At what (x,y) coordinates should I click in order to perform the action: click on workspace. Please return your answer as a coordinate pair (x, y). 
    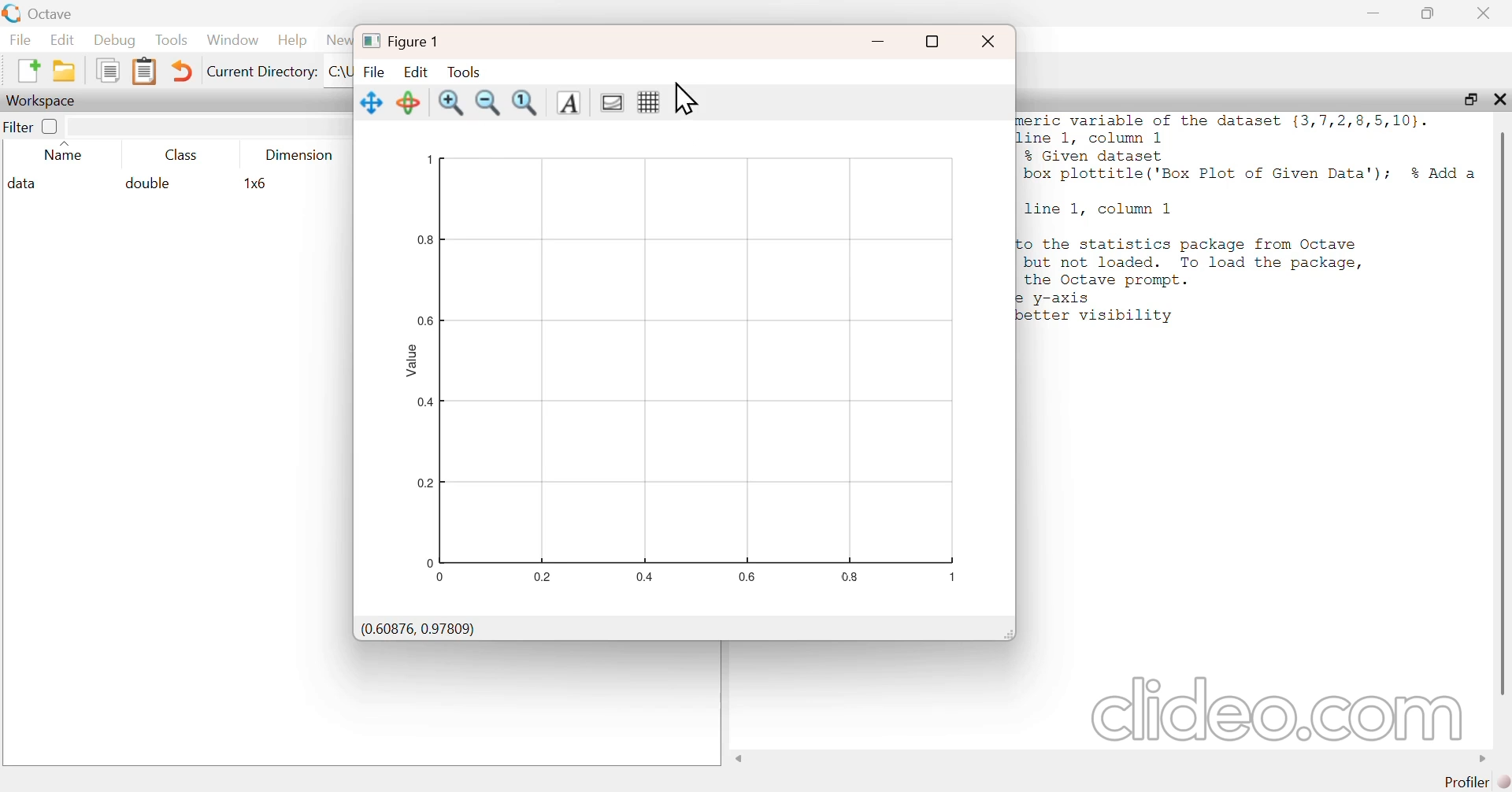
    Looking at the image, I should click on (42, 99).